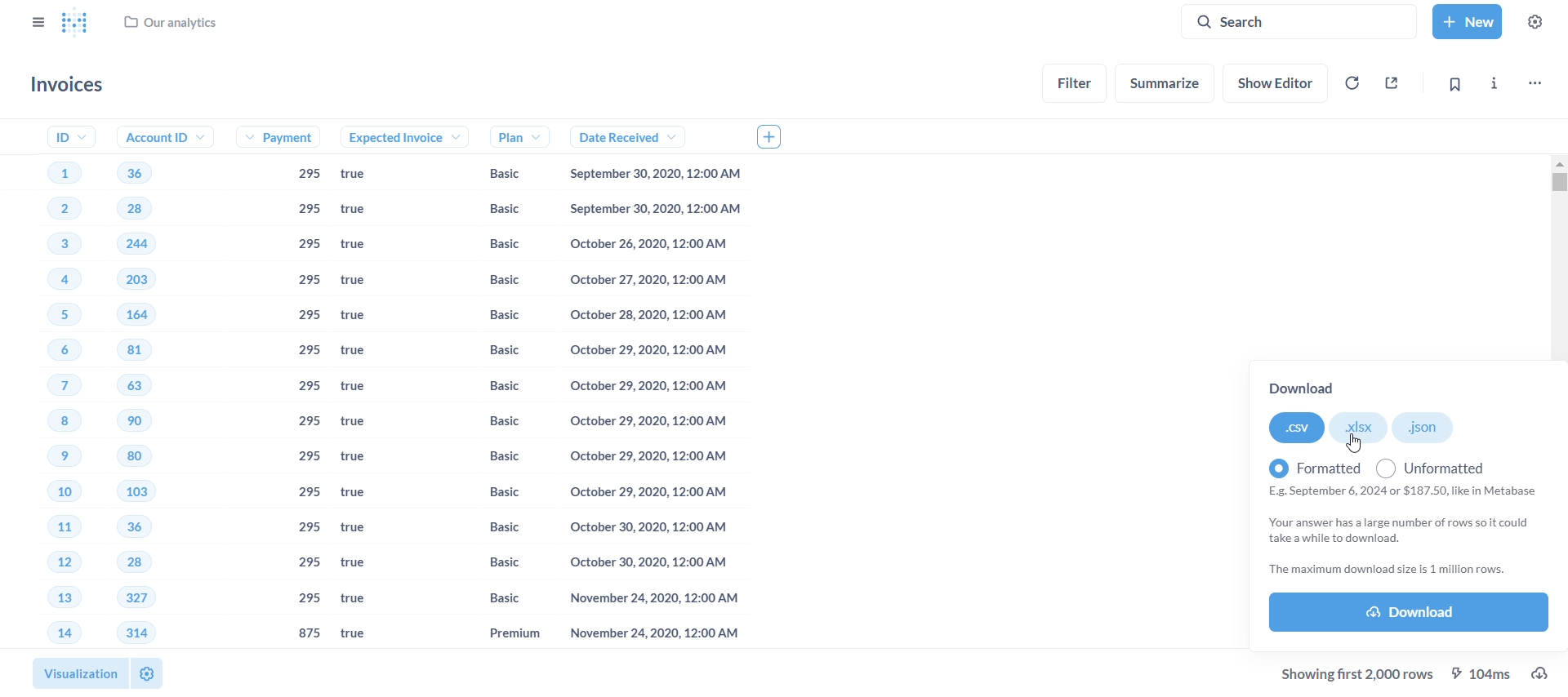 This screenshot has height=697, width=1568. I want to click on formatted, so click(1307, 464).